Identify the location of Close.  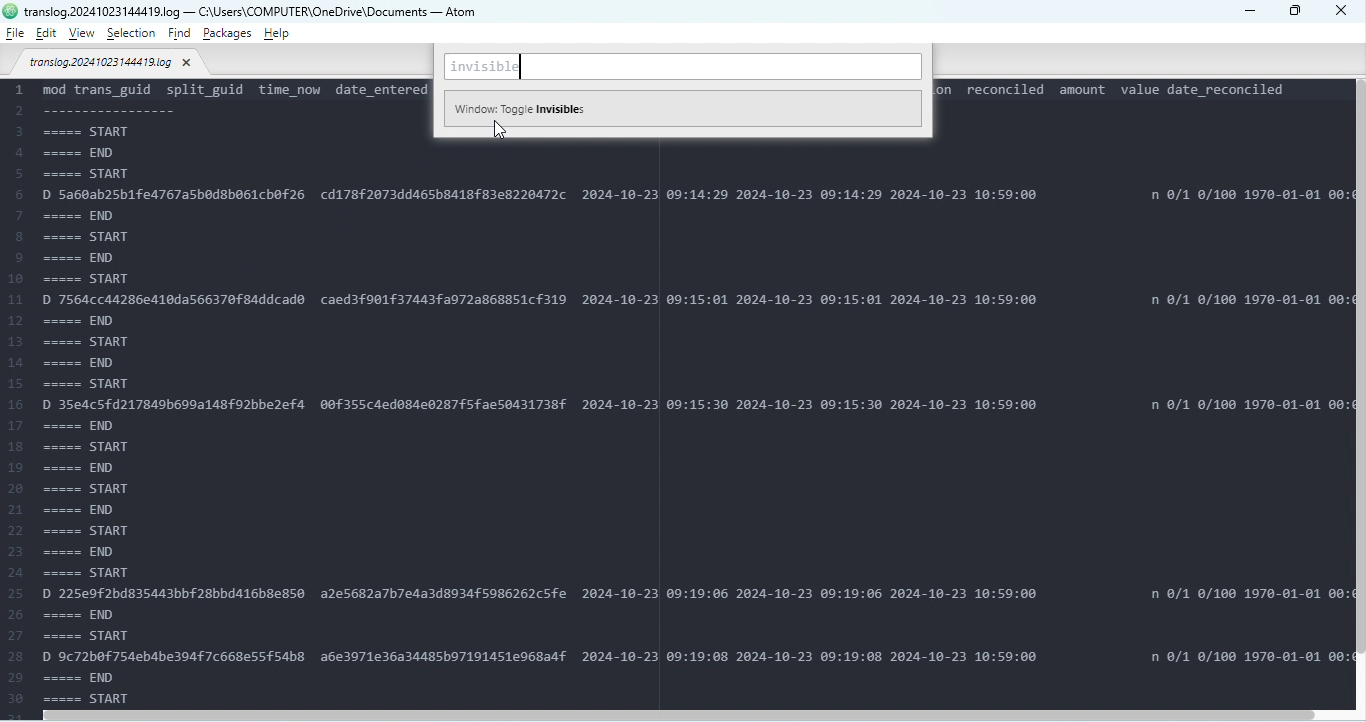
(1344, 13).